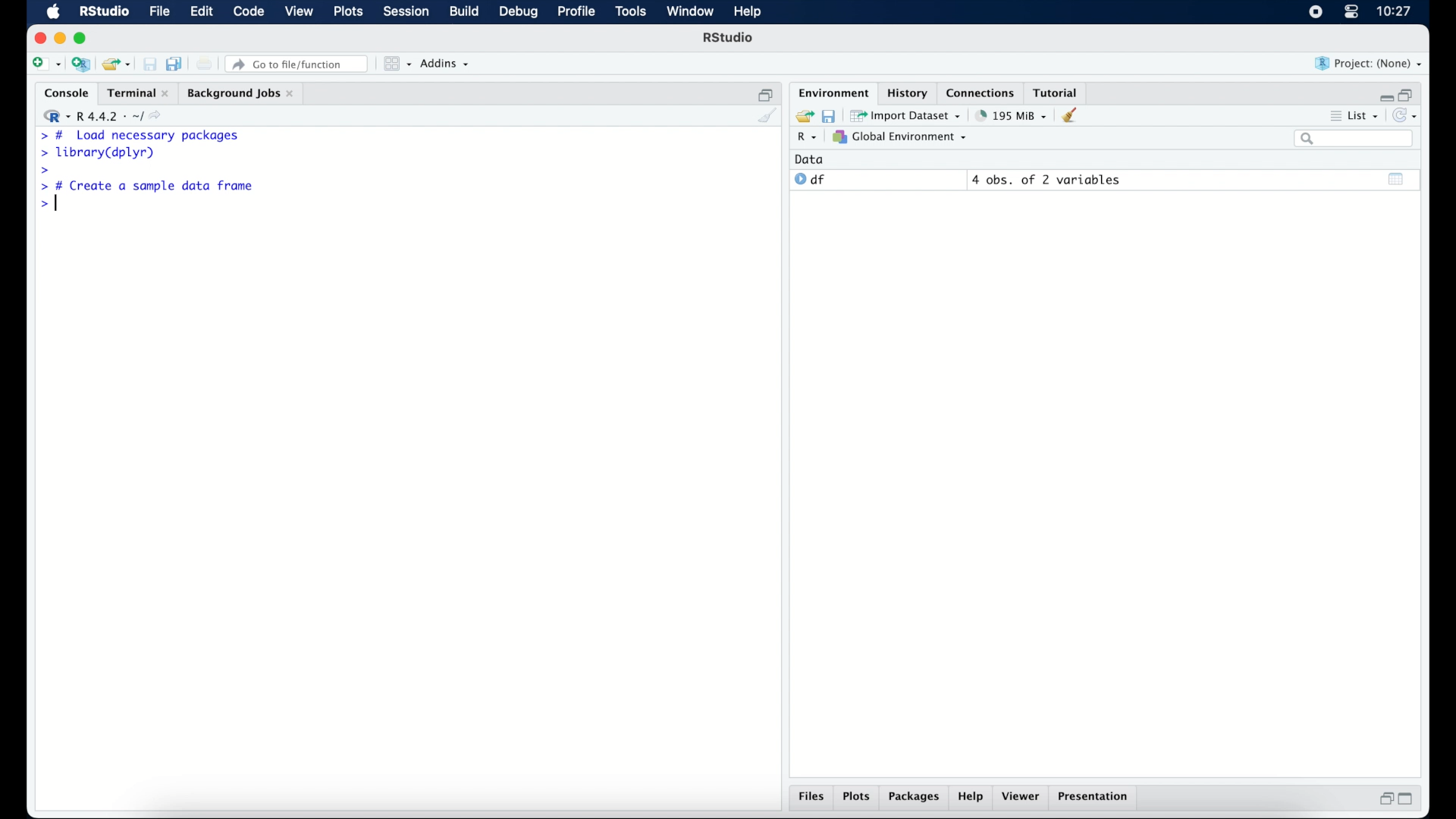  Describe the element at coordinates (115, 64) in the screenshot. I see `load existing project` at that location.